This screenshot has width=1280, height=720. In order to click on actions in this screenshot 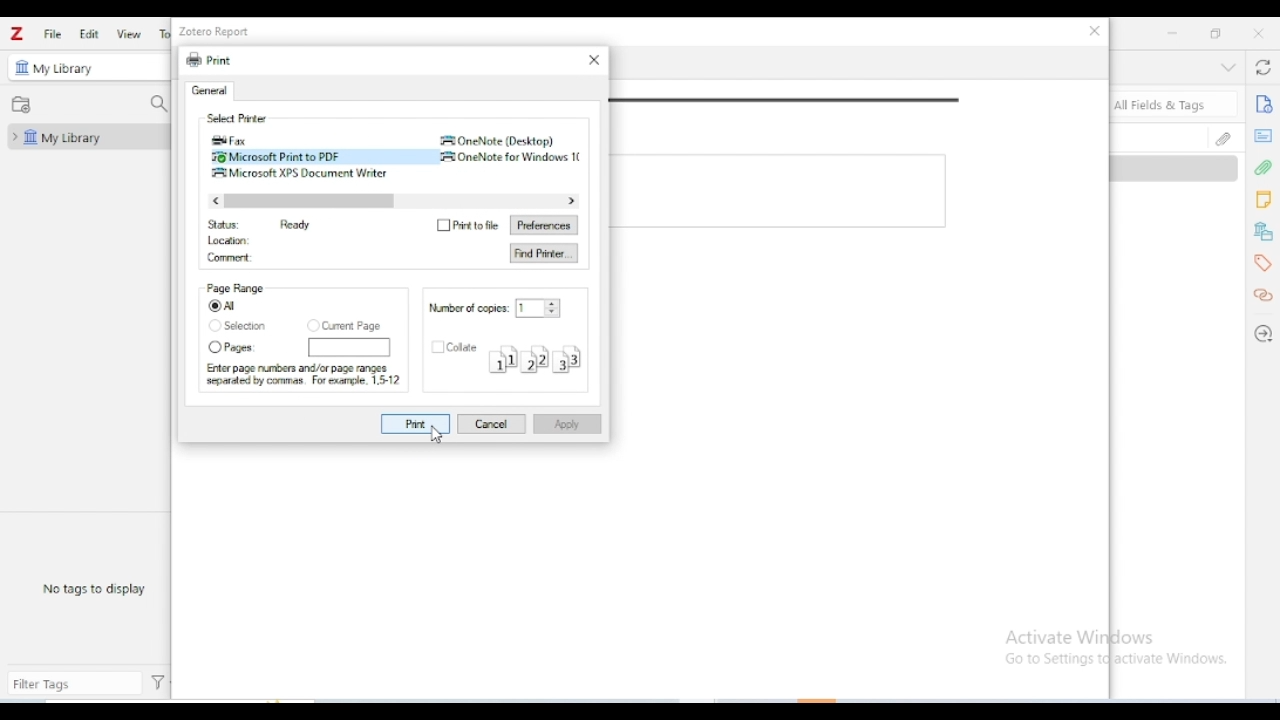, I will do `click(158, 683)`.